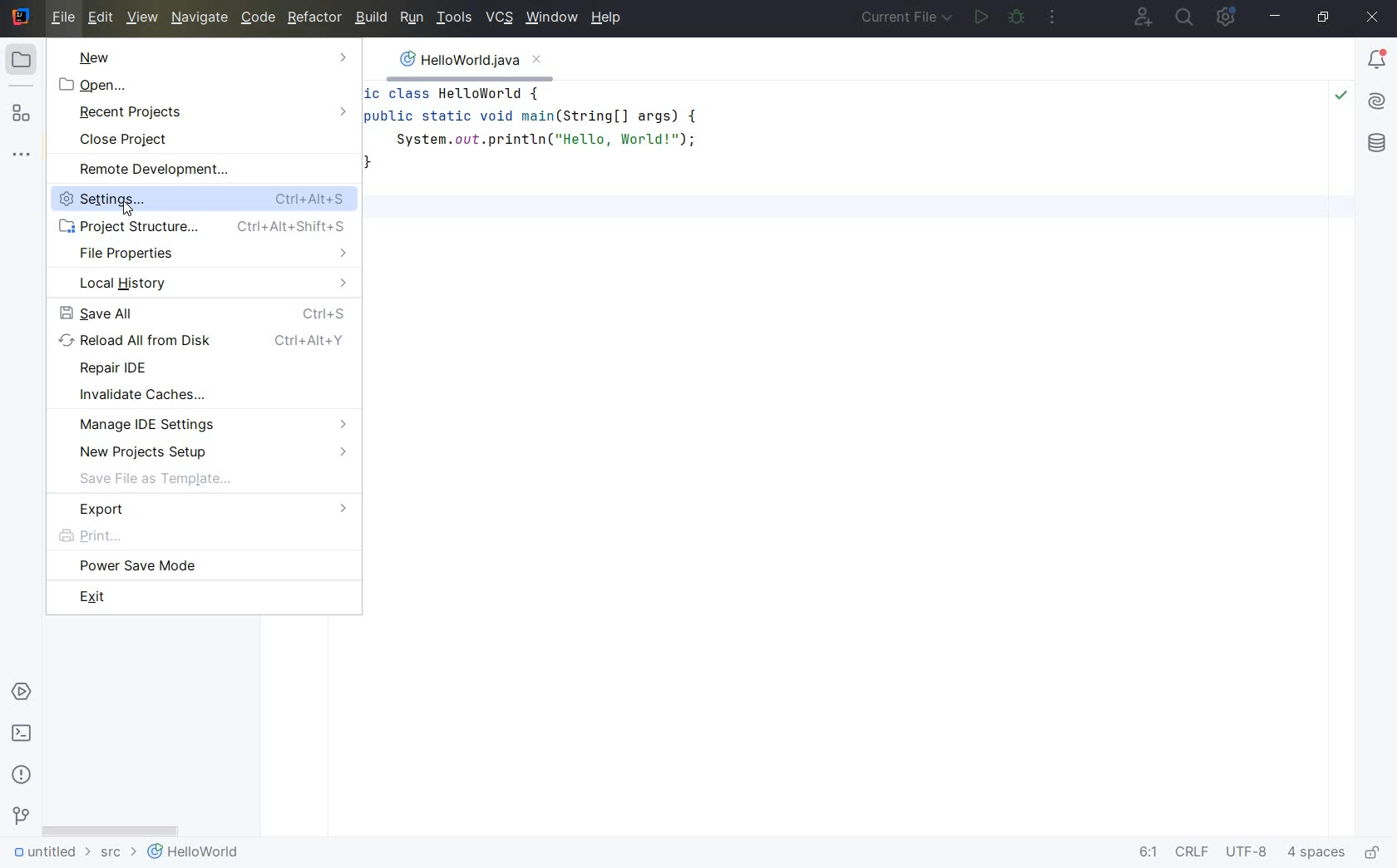 This screenshot has width=1397, height=868. Describe the element at coordinates (908, 18) in the screenshot. I see `current file` at that location.